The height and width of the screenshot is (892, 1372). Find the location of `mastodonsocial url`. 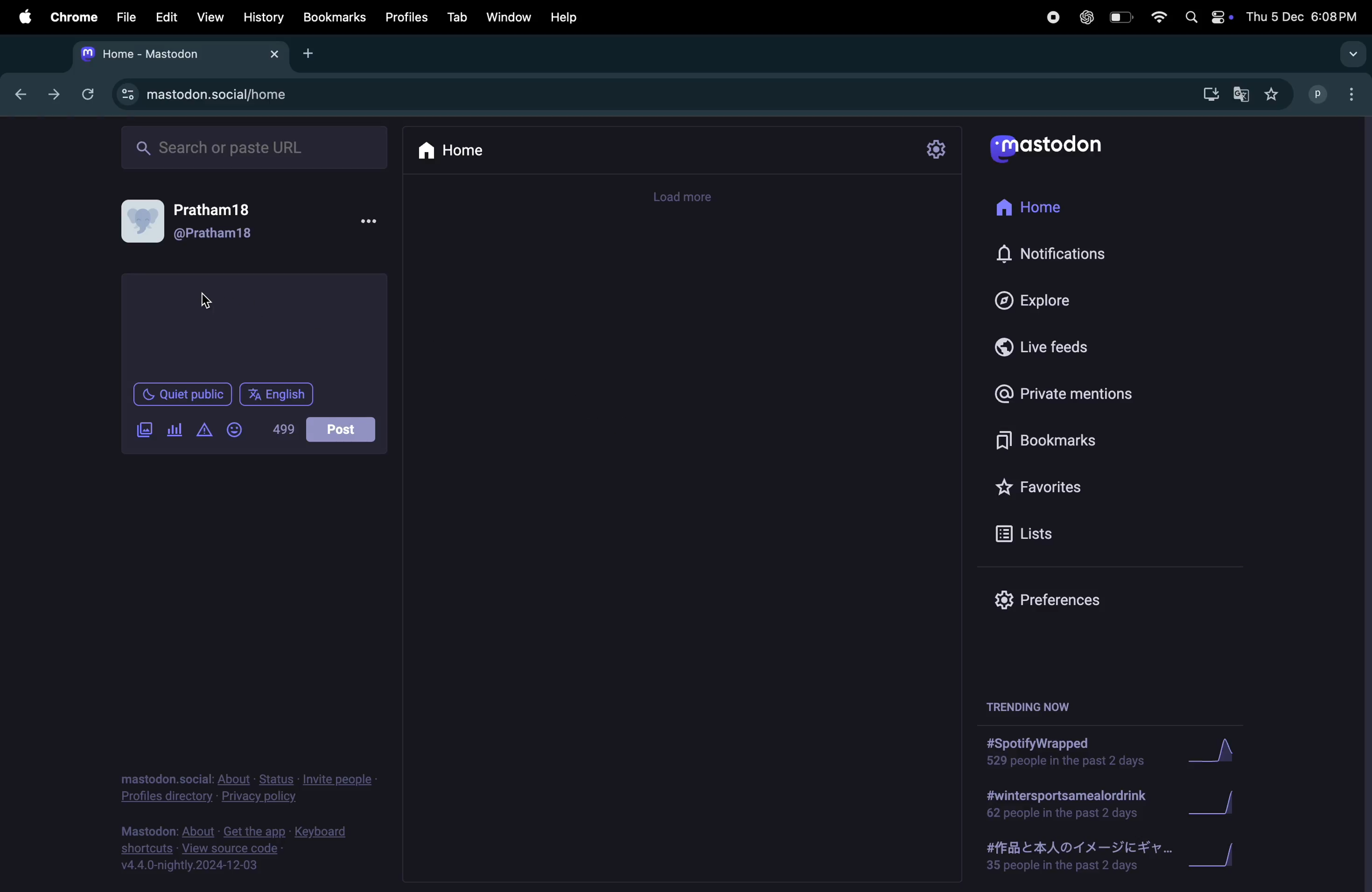

mastodonsocial url is located at coordinates (207, 95).